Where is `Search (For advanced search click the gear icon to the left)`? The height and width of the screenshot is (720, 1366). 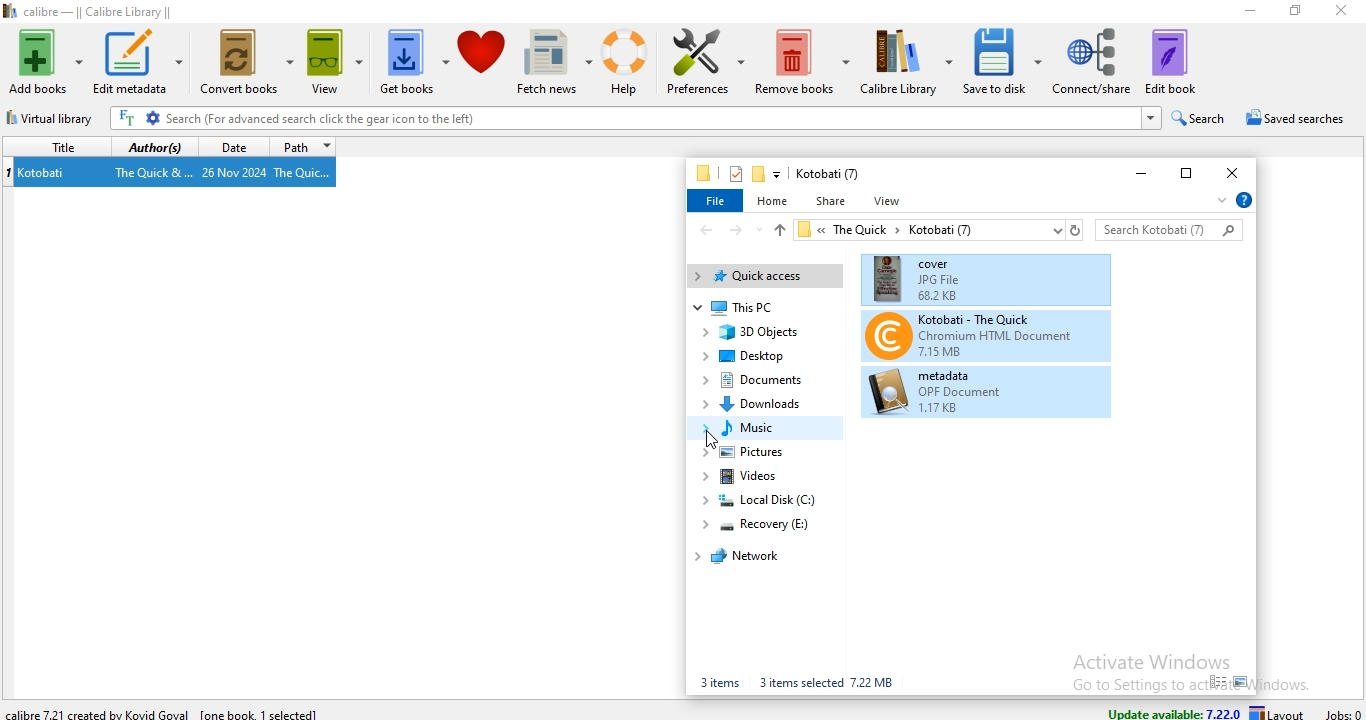 Search (For advanced search click the gear icon to the left) is located at coordinates (635, 118).